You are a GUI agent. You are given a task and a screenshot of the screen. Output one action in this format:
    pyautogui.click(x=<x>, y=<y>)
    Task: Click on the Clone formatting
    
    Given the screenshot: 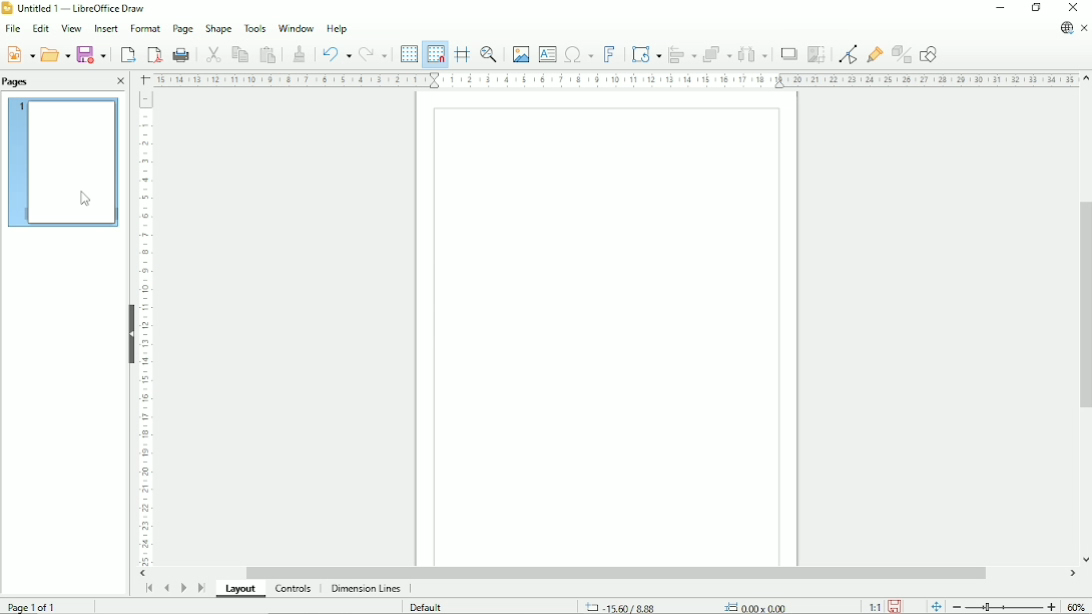 What is the action you would take?
    pyautogui.click(x=299, y=52)
    